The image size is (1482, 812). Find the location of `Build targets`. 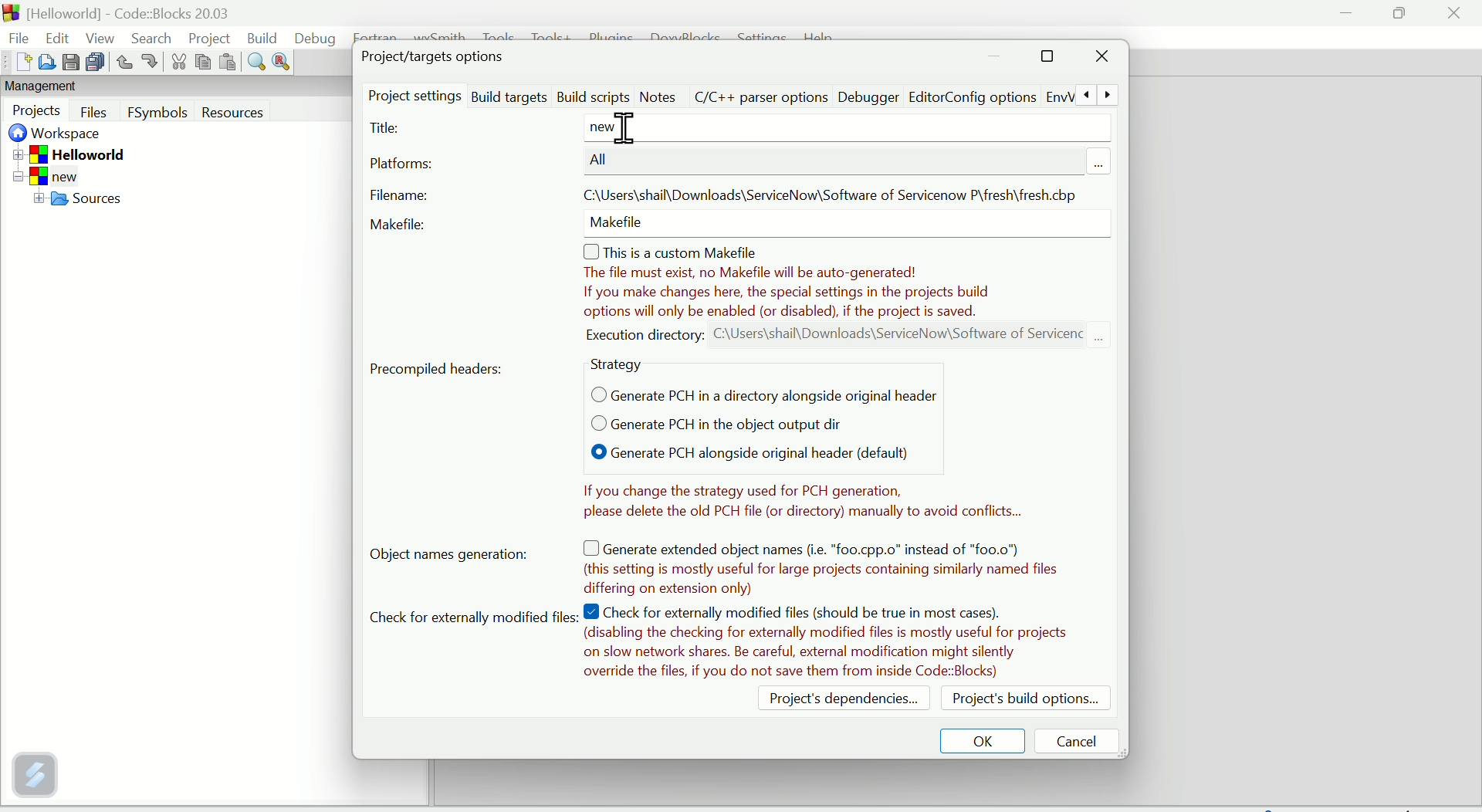

Build targets is located at coordinates (509, 94).